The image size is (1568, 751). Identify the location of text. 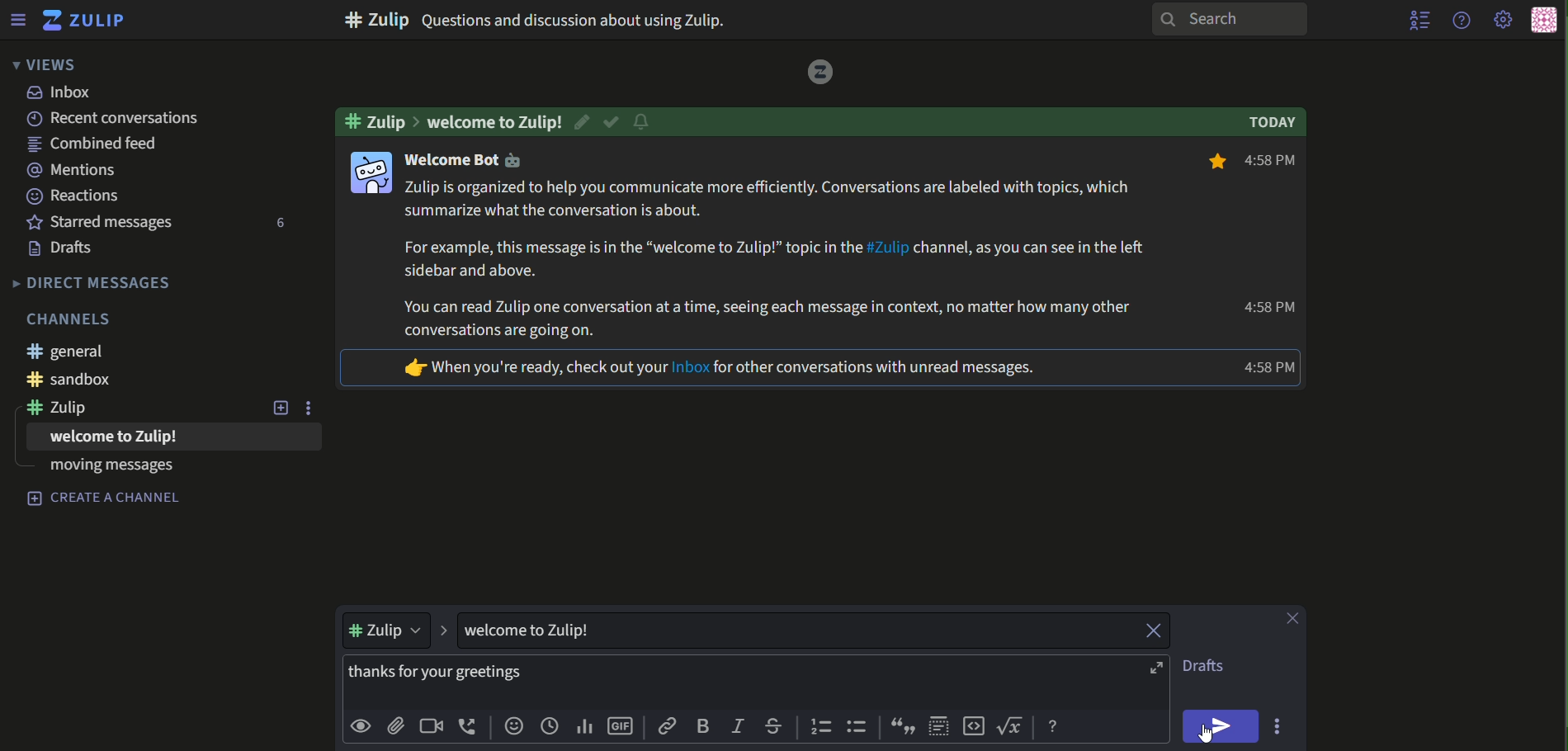
(470, 162).